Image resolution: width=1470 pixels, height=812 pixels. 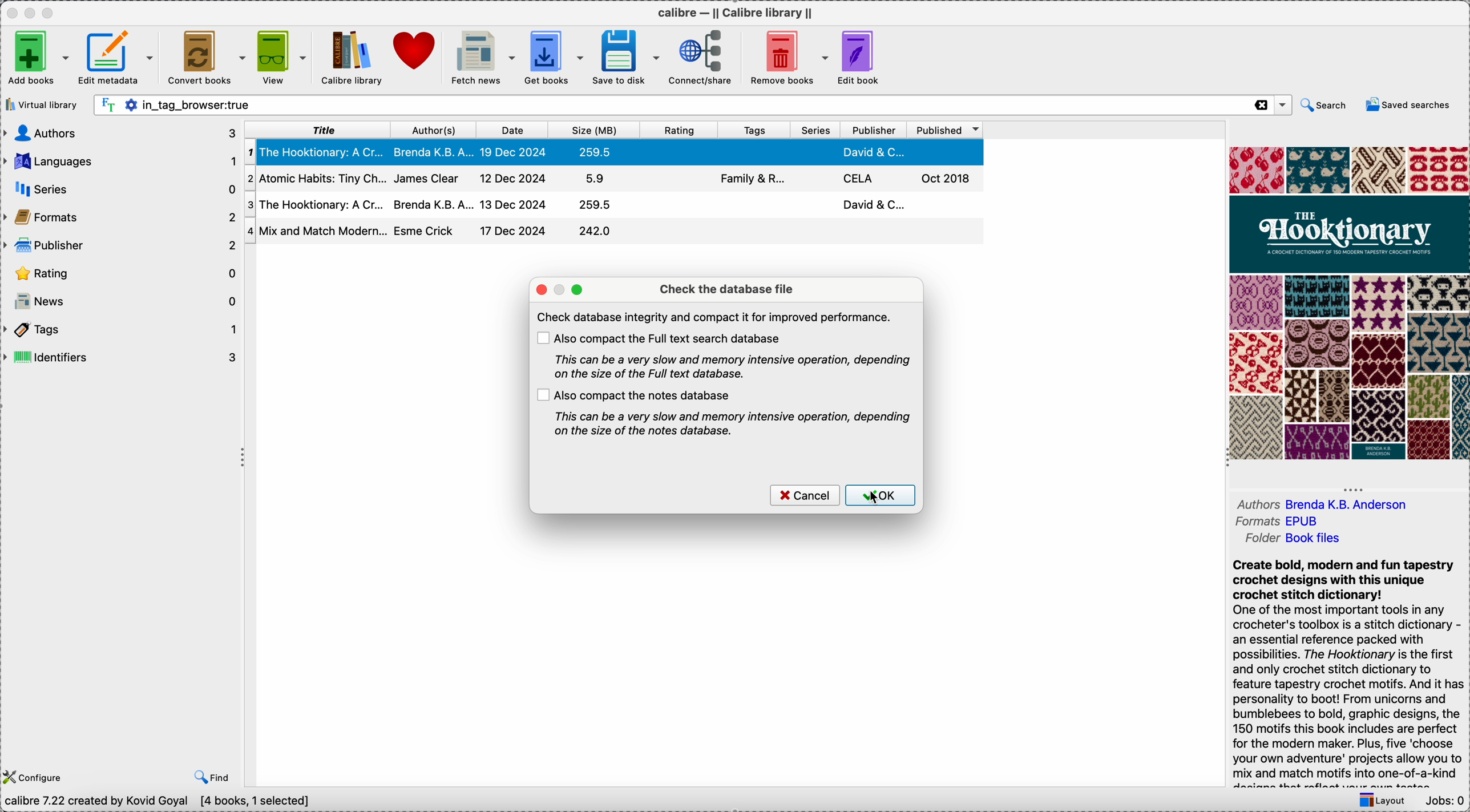 What do you see at coordinates (681, 130) in the screenshot?
I see `rating` at bounding box center [681, 130].